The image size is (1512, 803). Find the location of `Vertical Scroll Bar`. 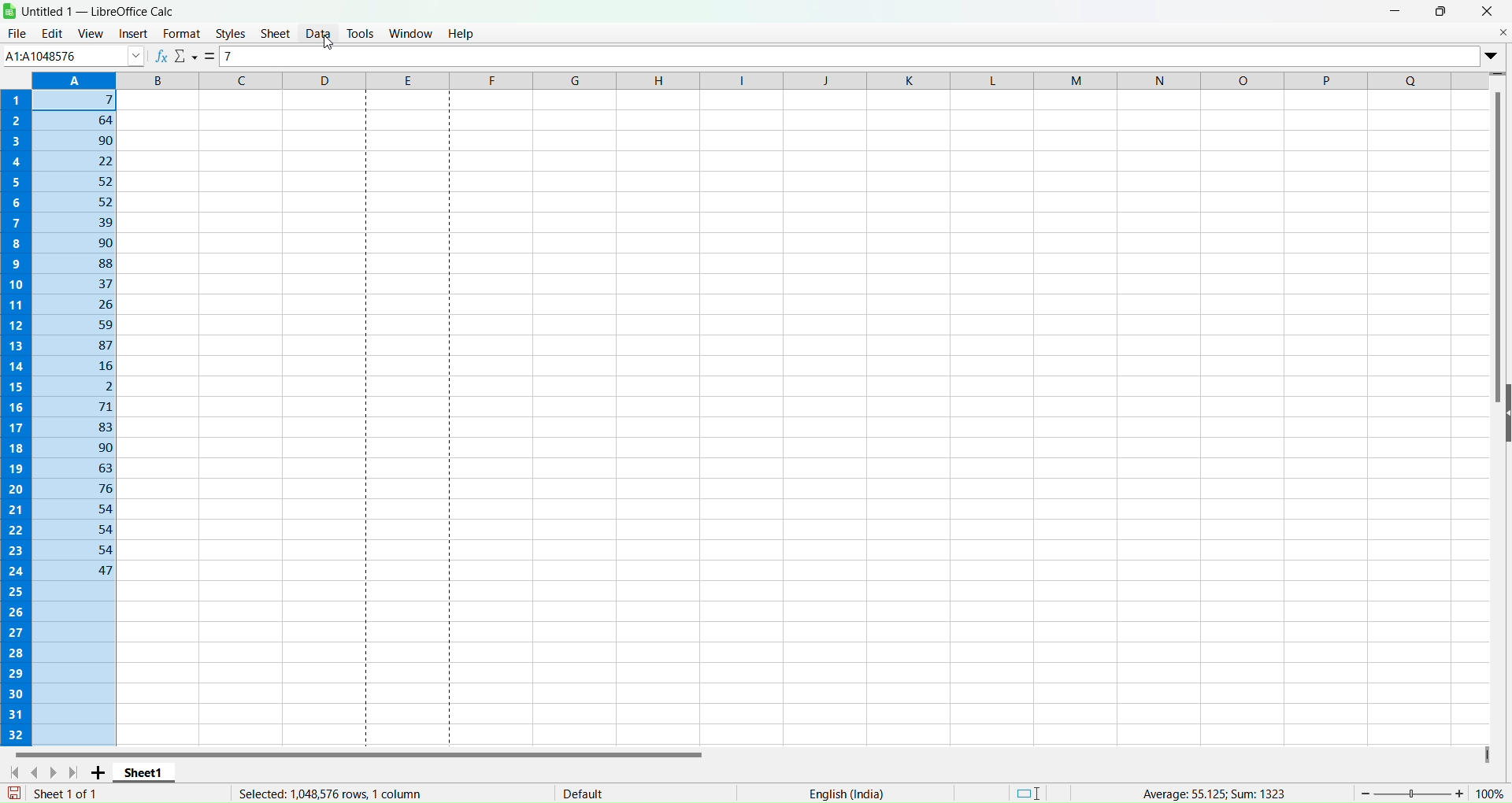

Vertical Scroll Bar is located at coordinates (1499, 249).